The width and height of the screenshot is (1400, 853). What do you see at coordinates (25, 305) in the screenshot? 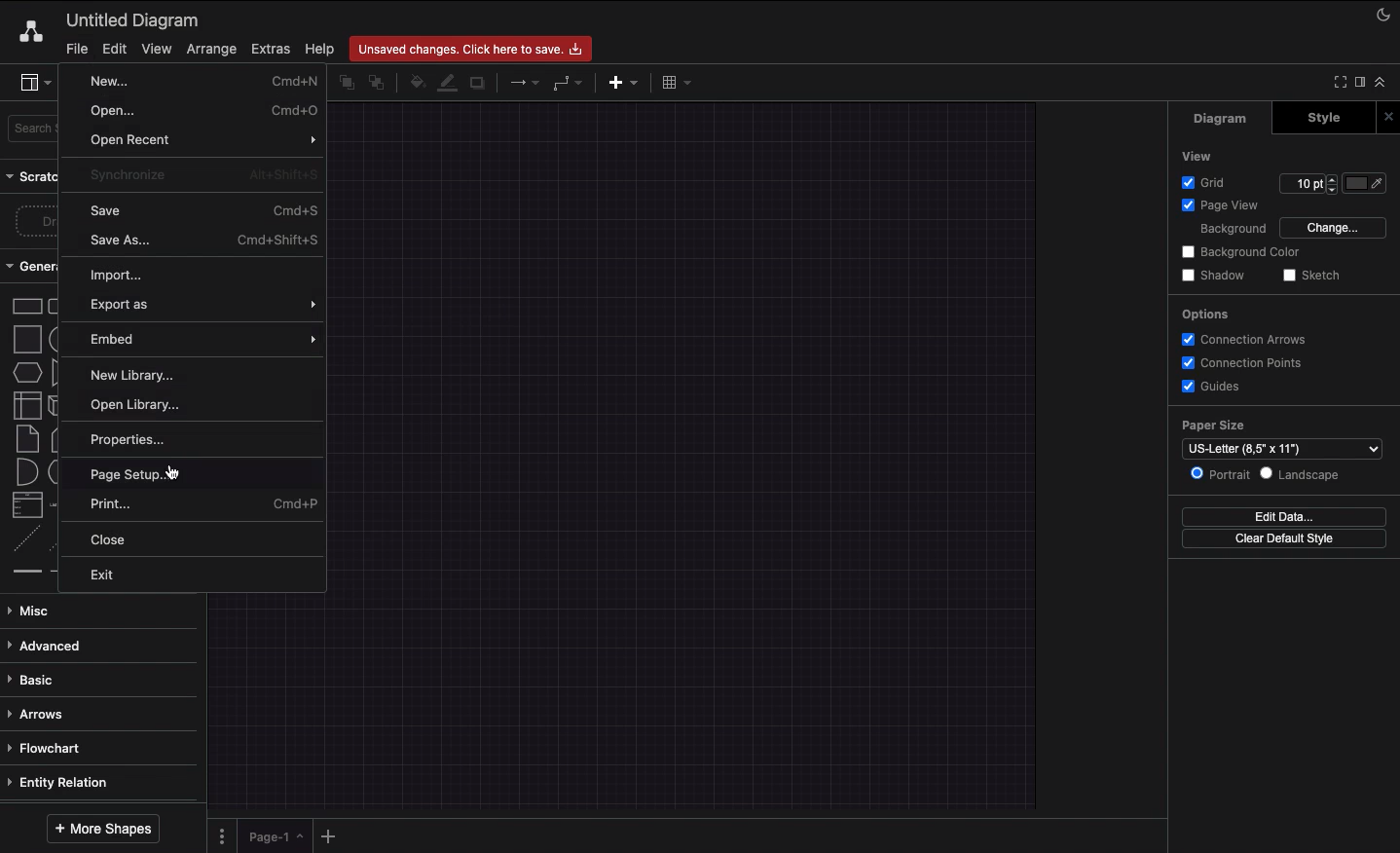
I see `Rectangle` at bounding box center [25, 305].